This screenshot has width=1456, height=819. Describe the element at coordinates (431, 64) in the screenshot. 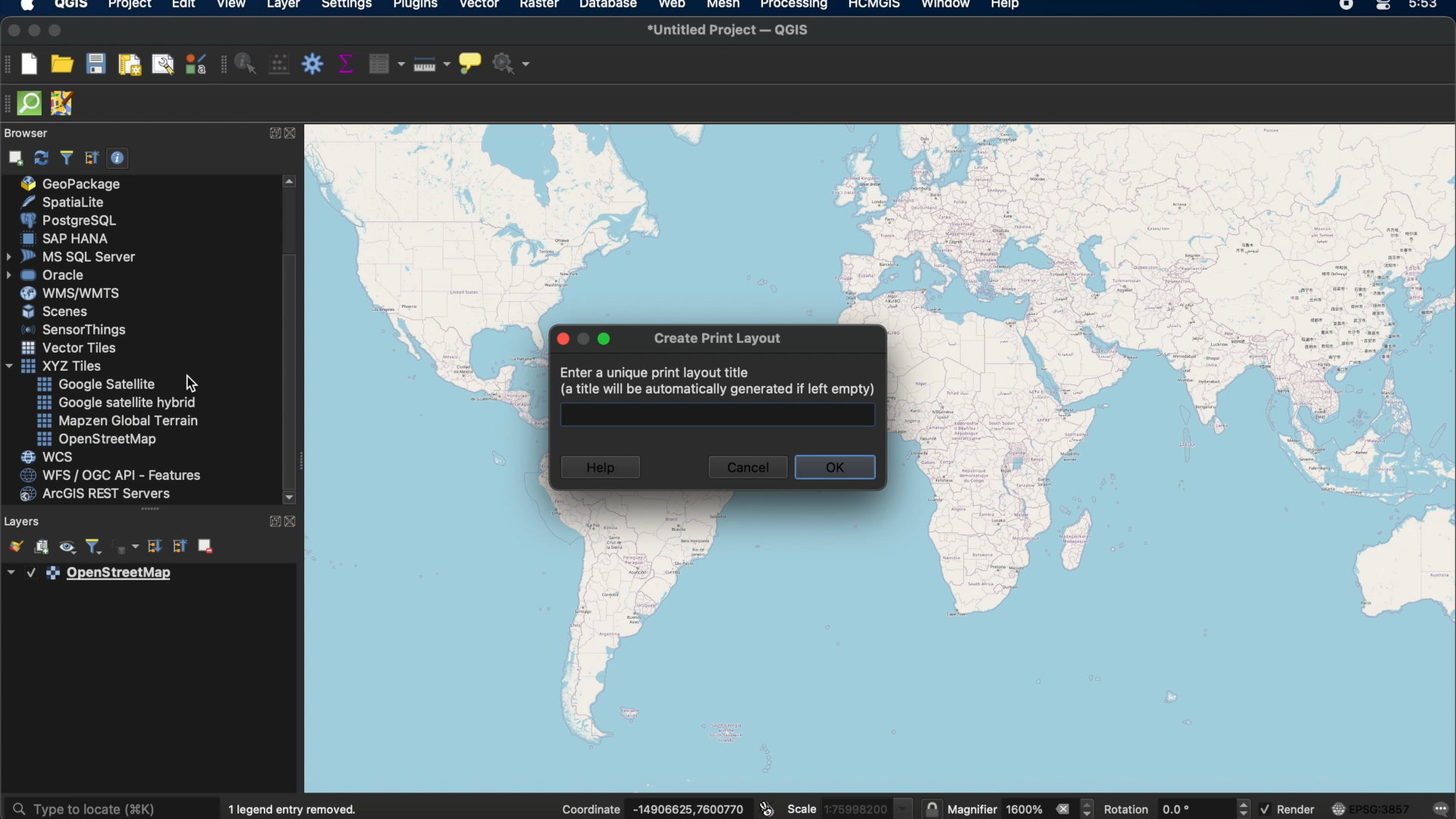

I see `measure line` at that location.